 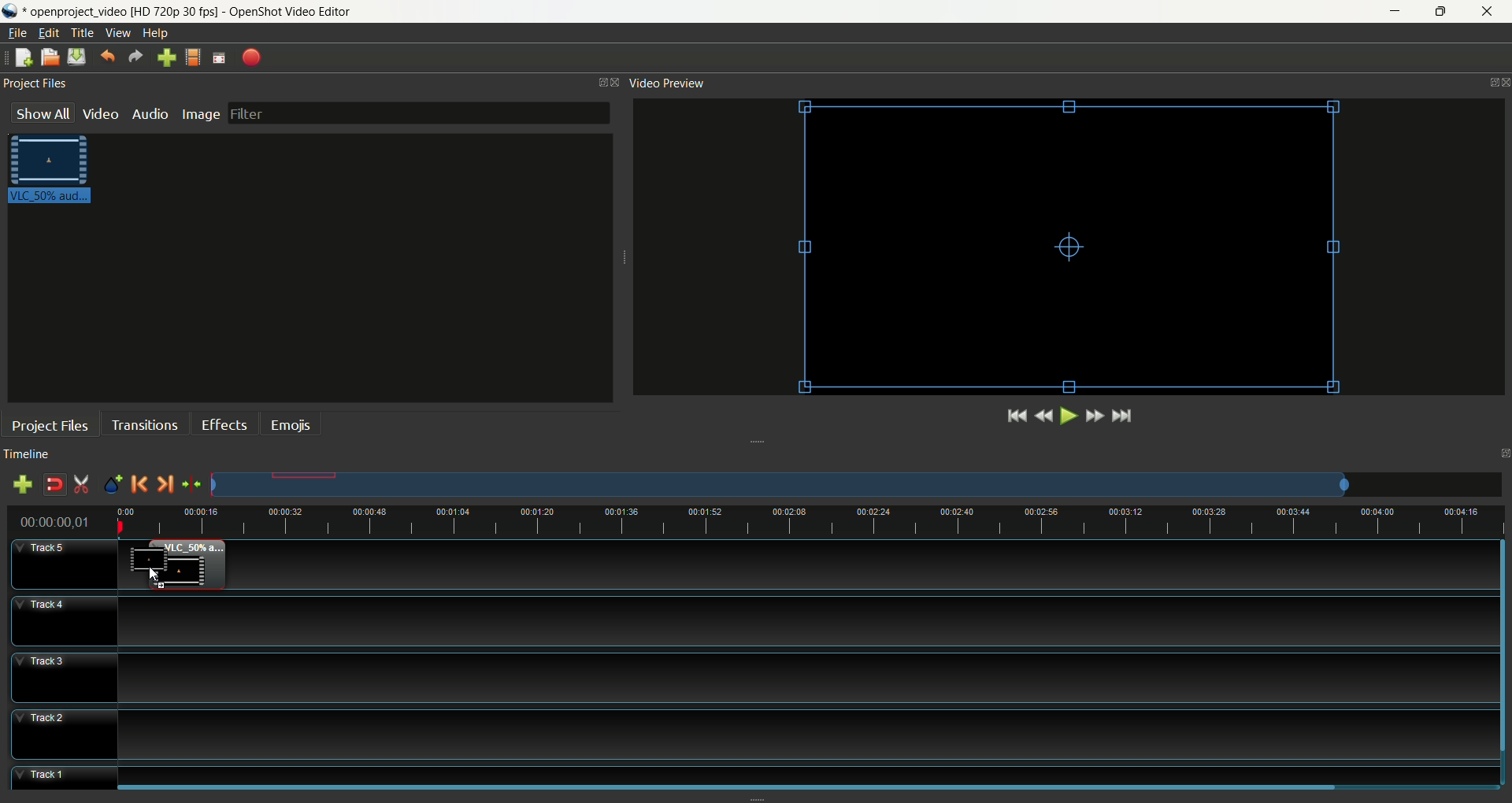 What do you see at coordinates (154, 34) in the screenshot?
I see `help` at bounding box center [154, 34].